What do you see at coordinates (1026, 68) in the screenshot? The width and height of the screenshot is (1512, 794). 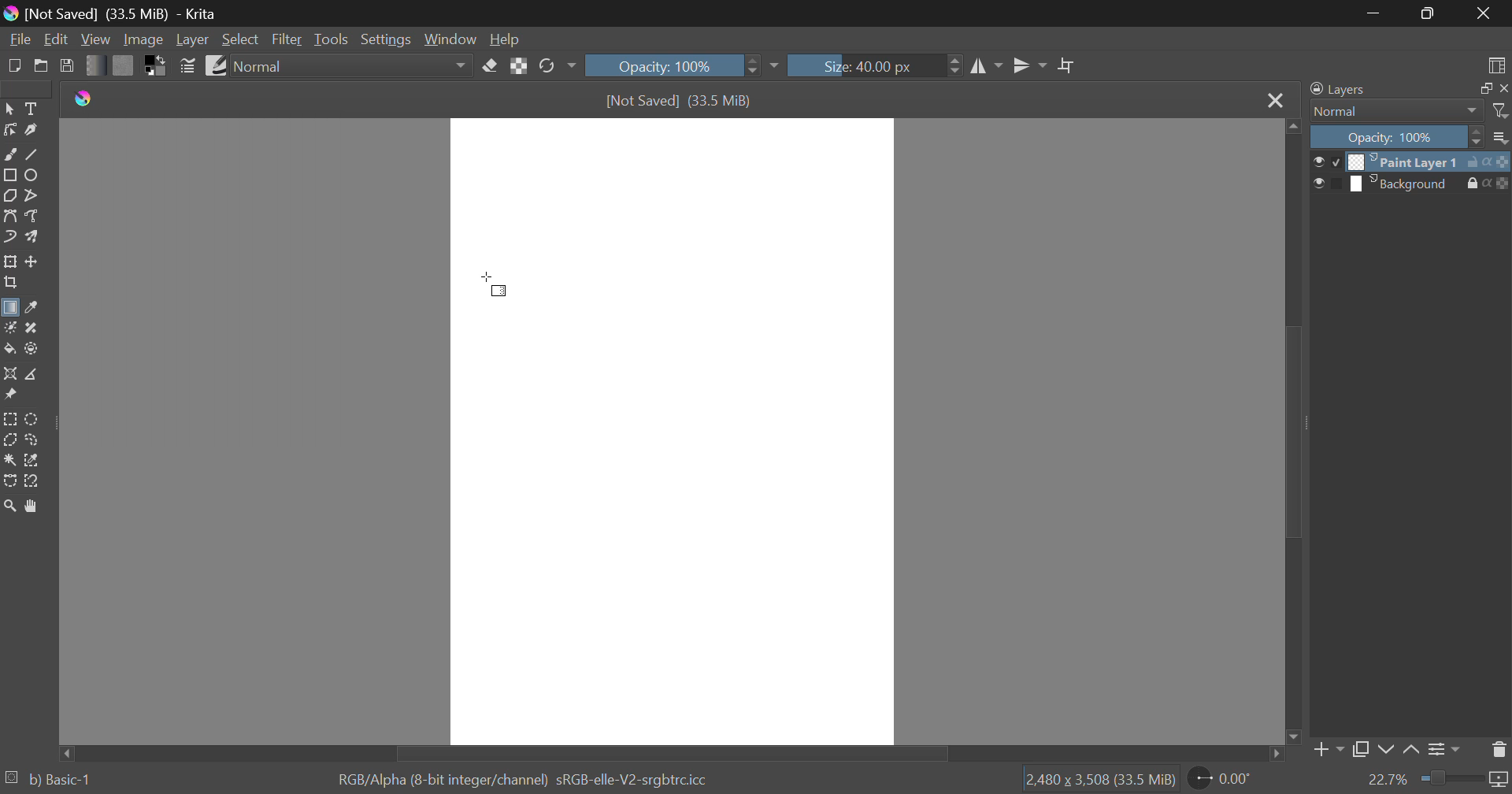 I see `Horizontal Mirror Flip` at bounding box center [1026, 68].